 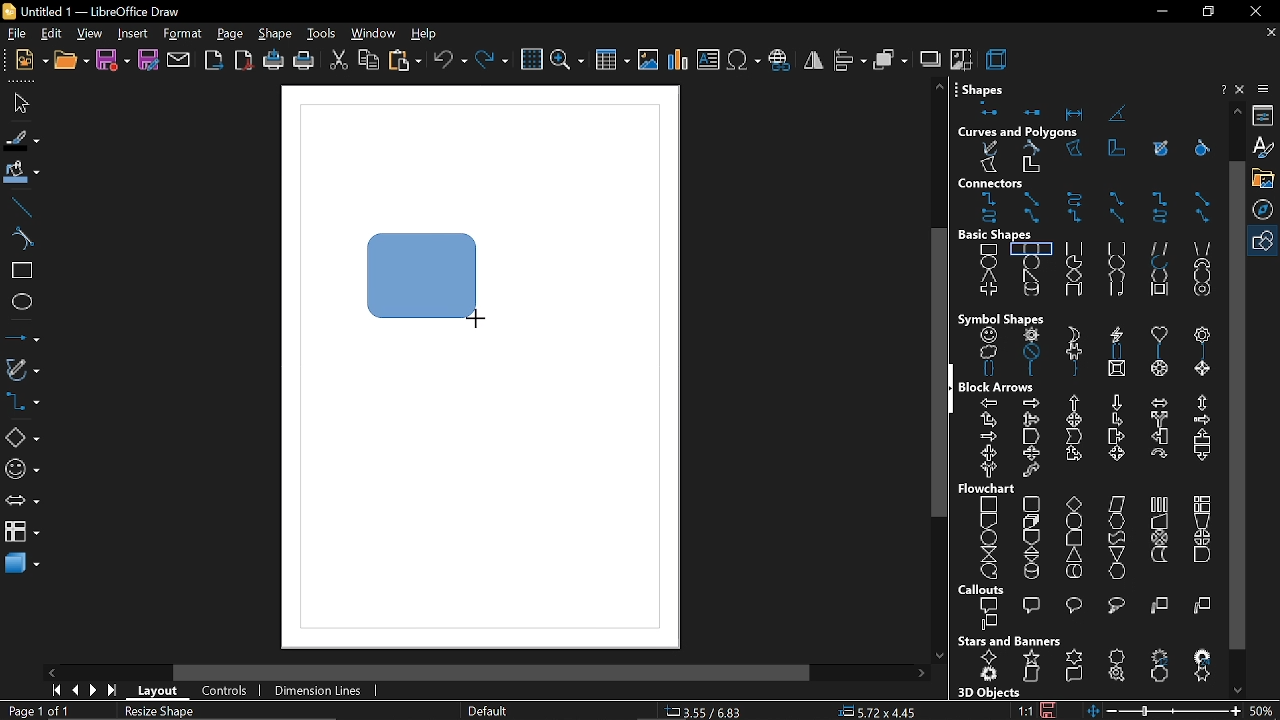 What do you see at coordinates (492, 674) in the screenshot?
I see `scroll bar` at bounding box center [492, 674].